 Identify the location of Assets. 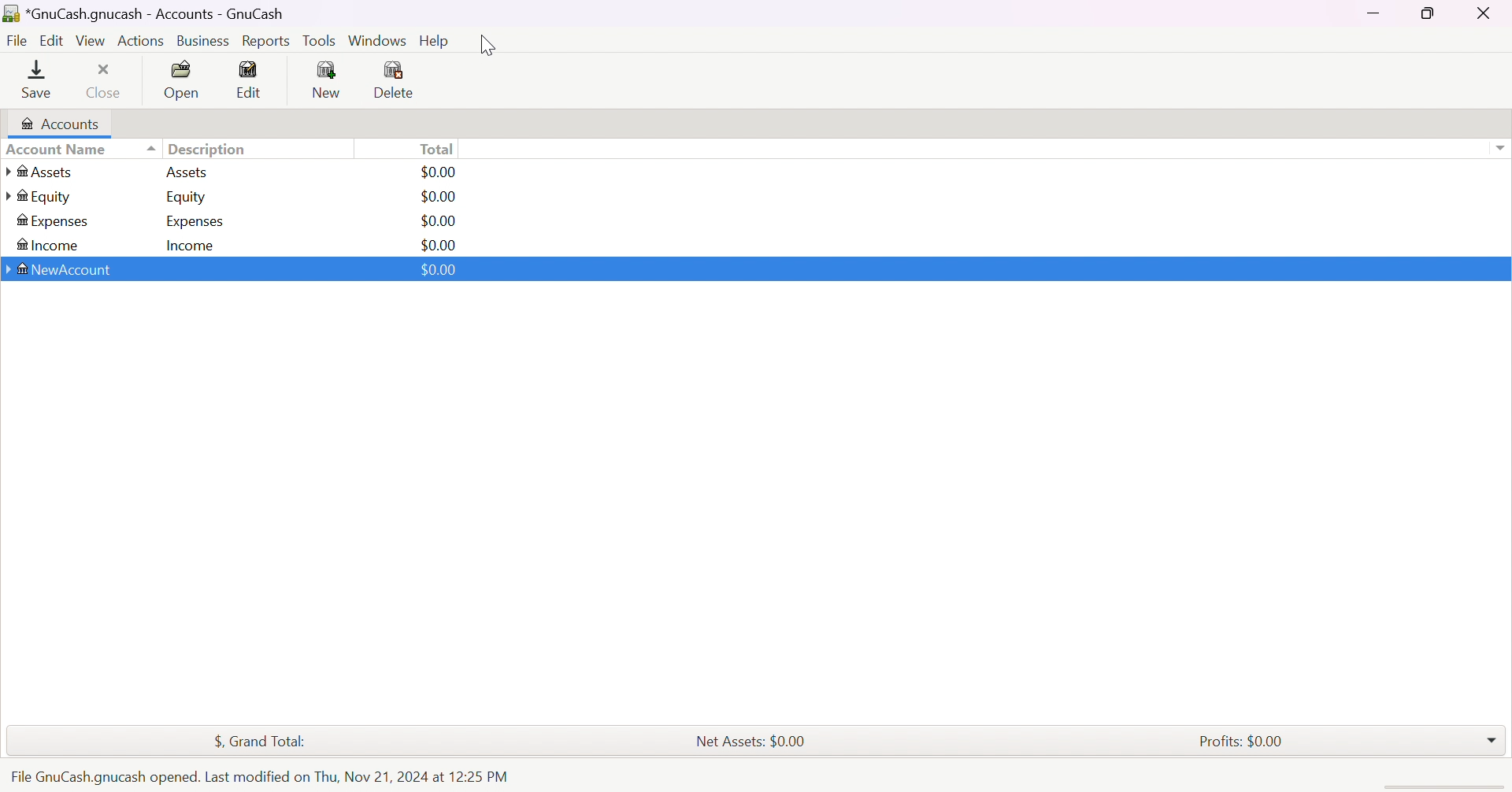
(46, 170).